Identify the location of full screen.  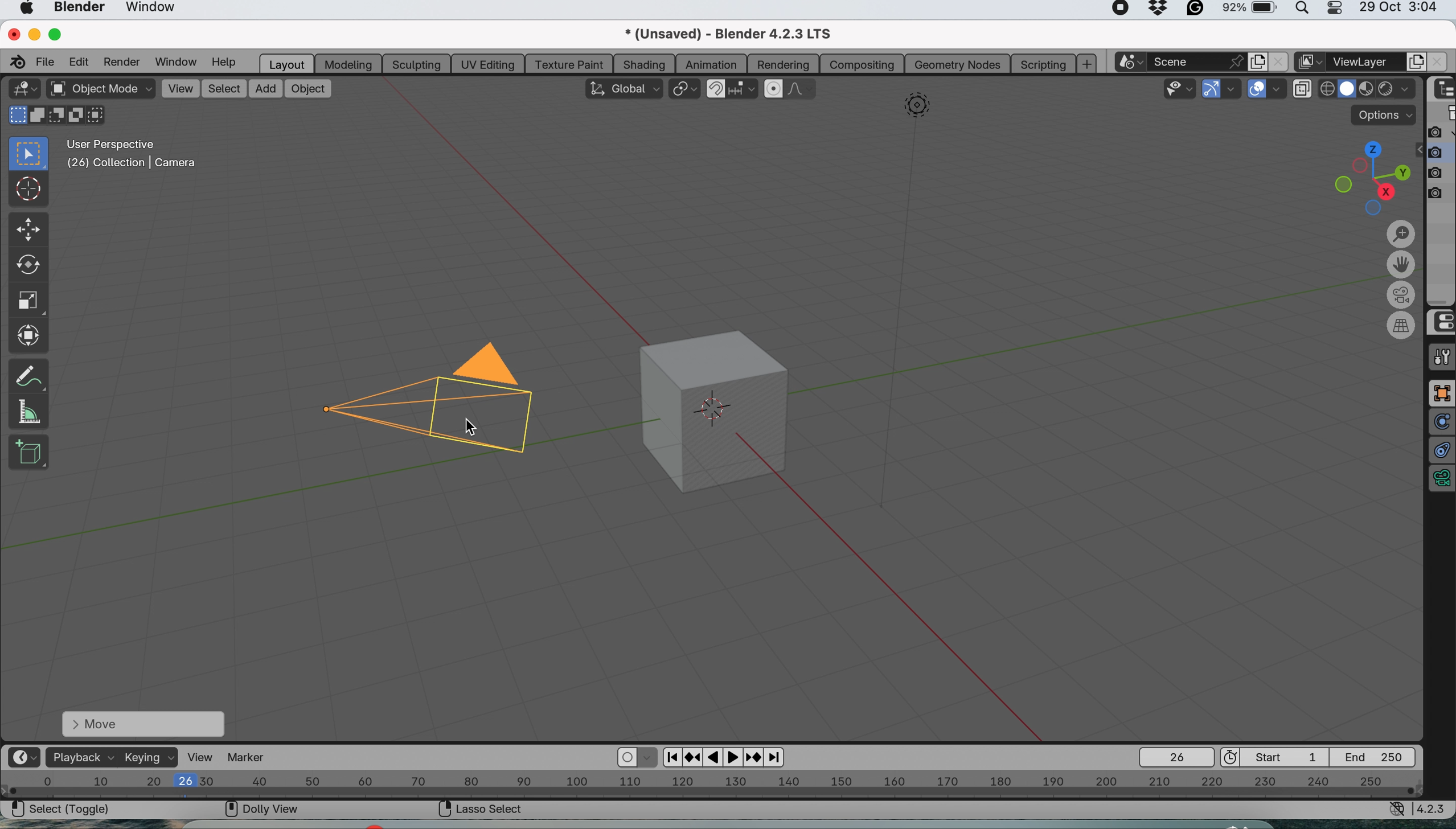
(1441, 393).